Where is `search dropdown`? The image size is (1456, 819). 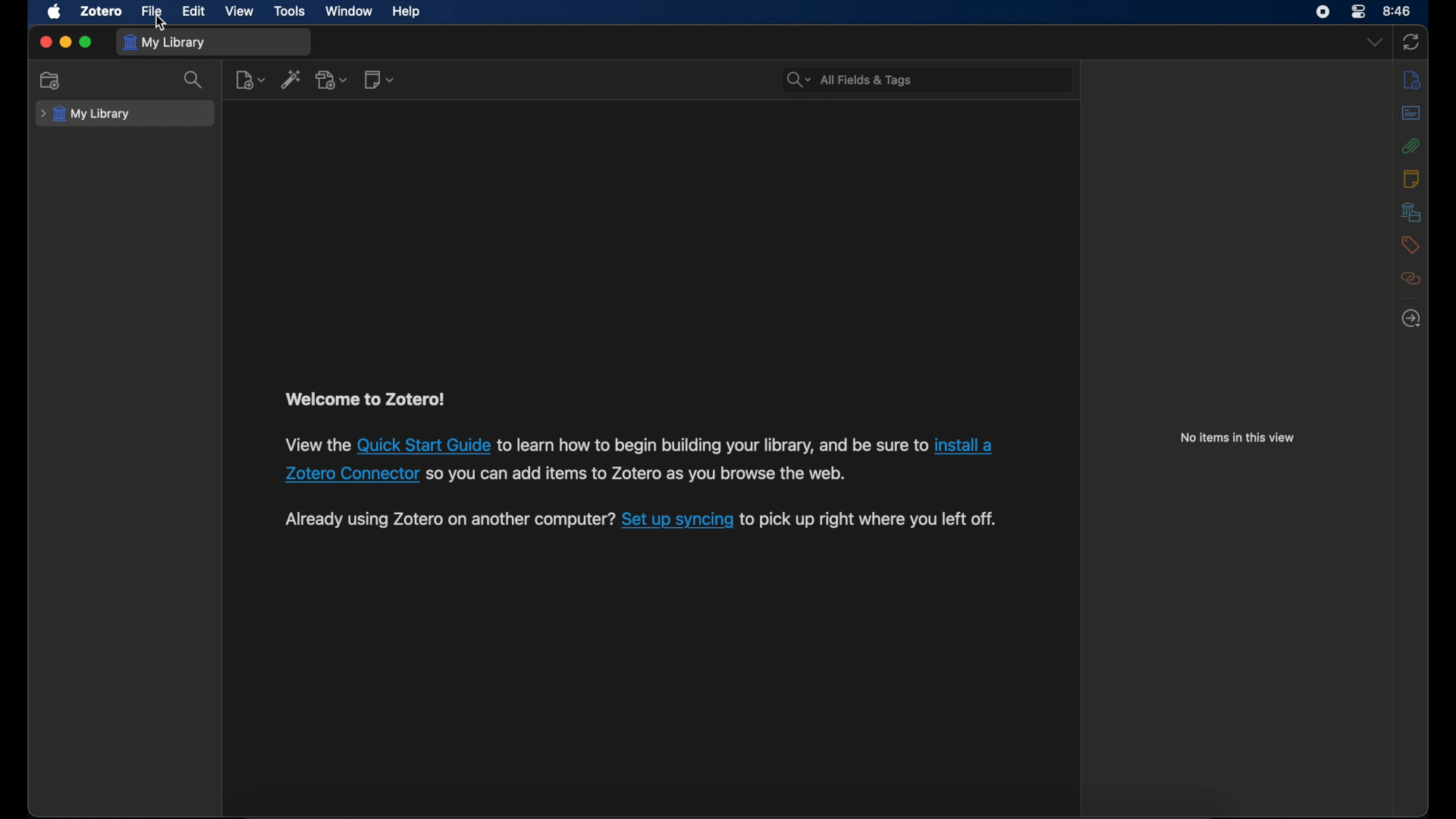 search dropdown is located at coordinates (799, 80).